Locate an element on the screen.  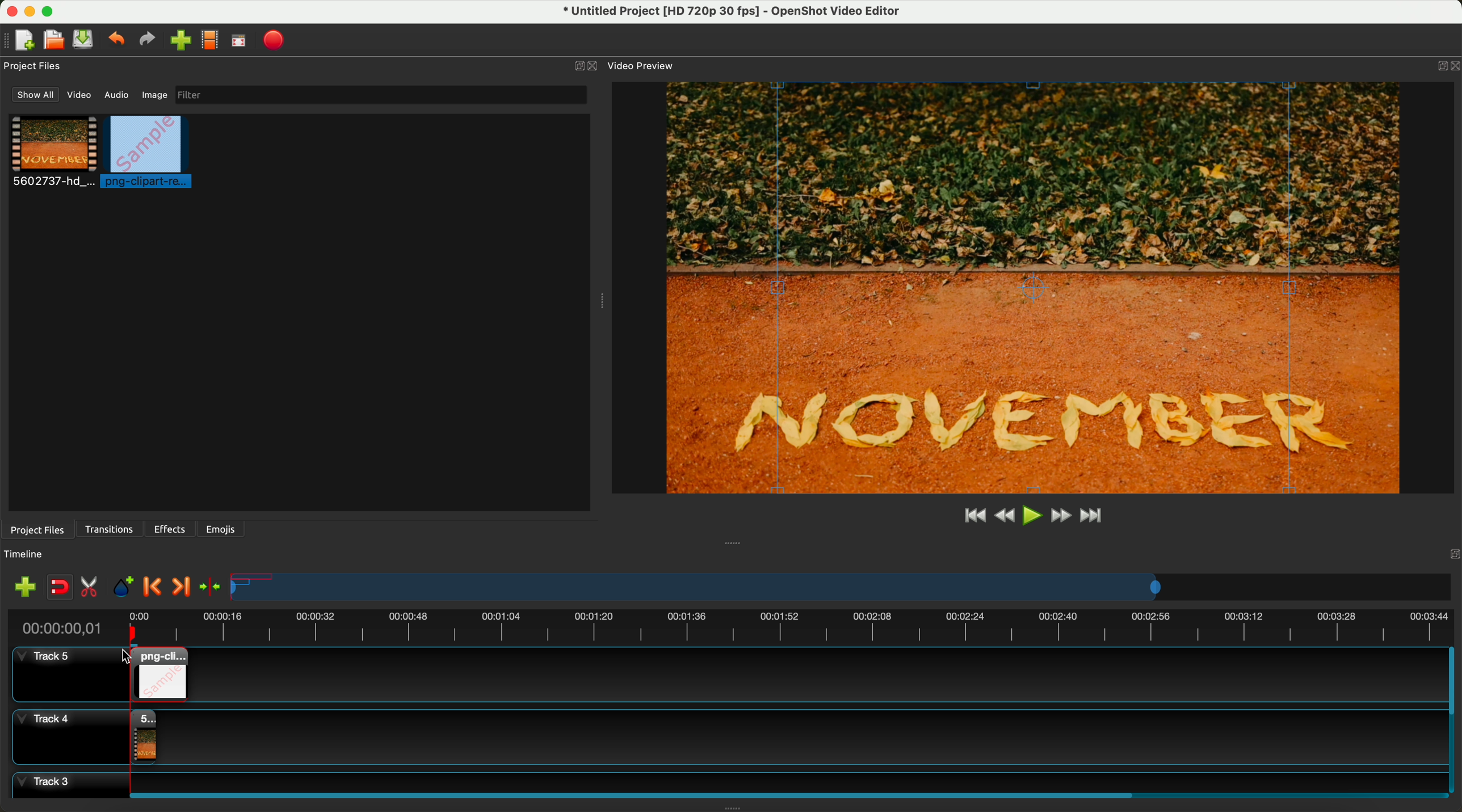
disable snapping is located at coordinates (60, 588).